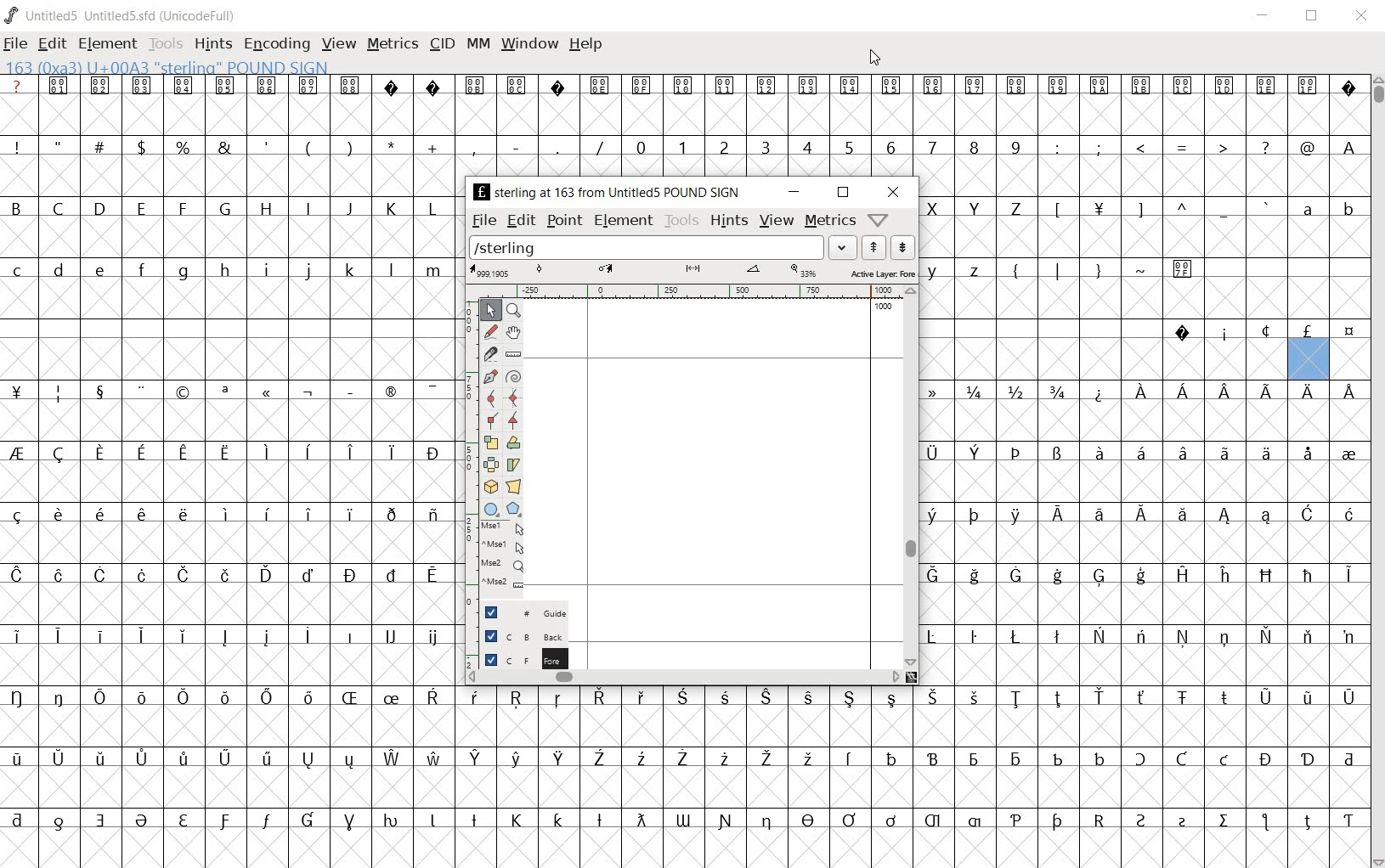  What do you see at coordinates (684, 86) in the screenshot?
I see `Symbol` at bounding box center [684, 86].